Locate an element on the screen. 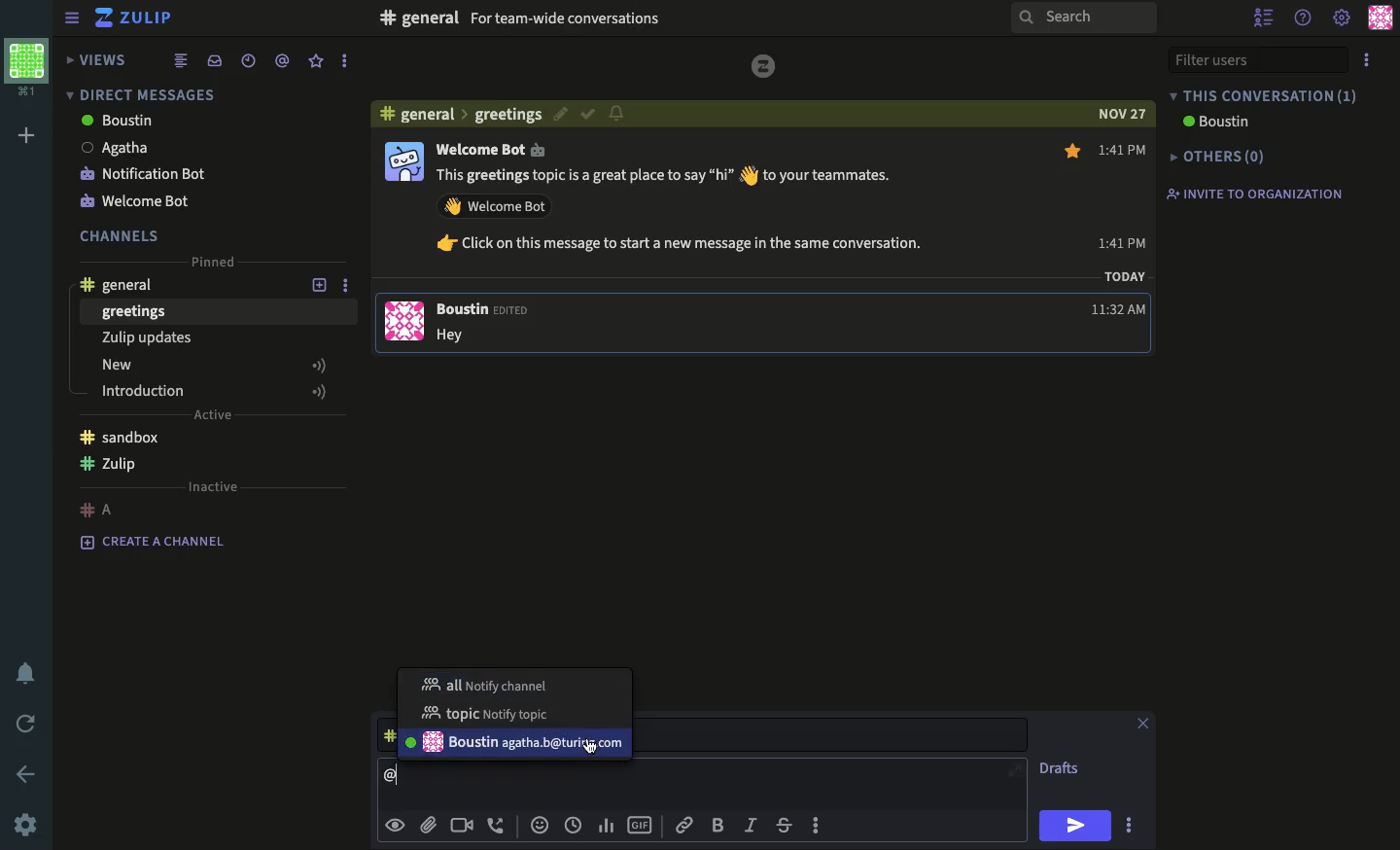 This screenshot has width=1400, height=850. Zulip is located at coordinates (134, 18).